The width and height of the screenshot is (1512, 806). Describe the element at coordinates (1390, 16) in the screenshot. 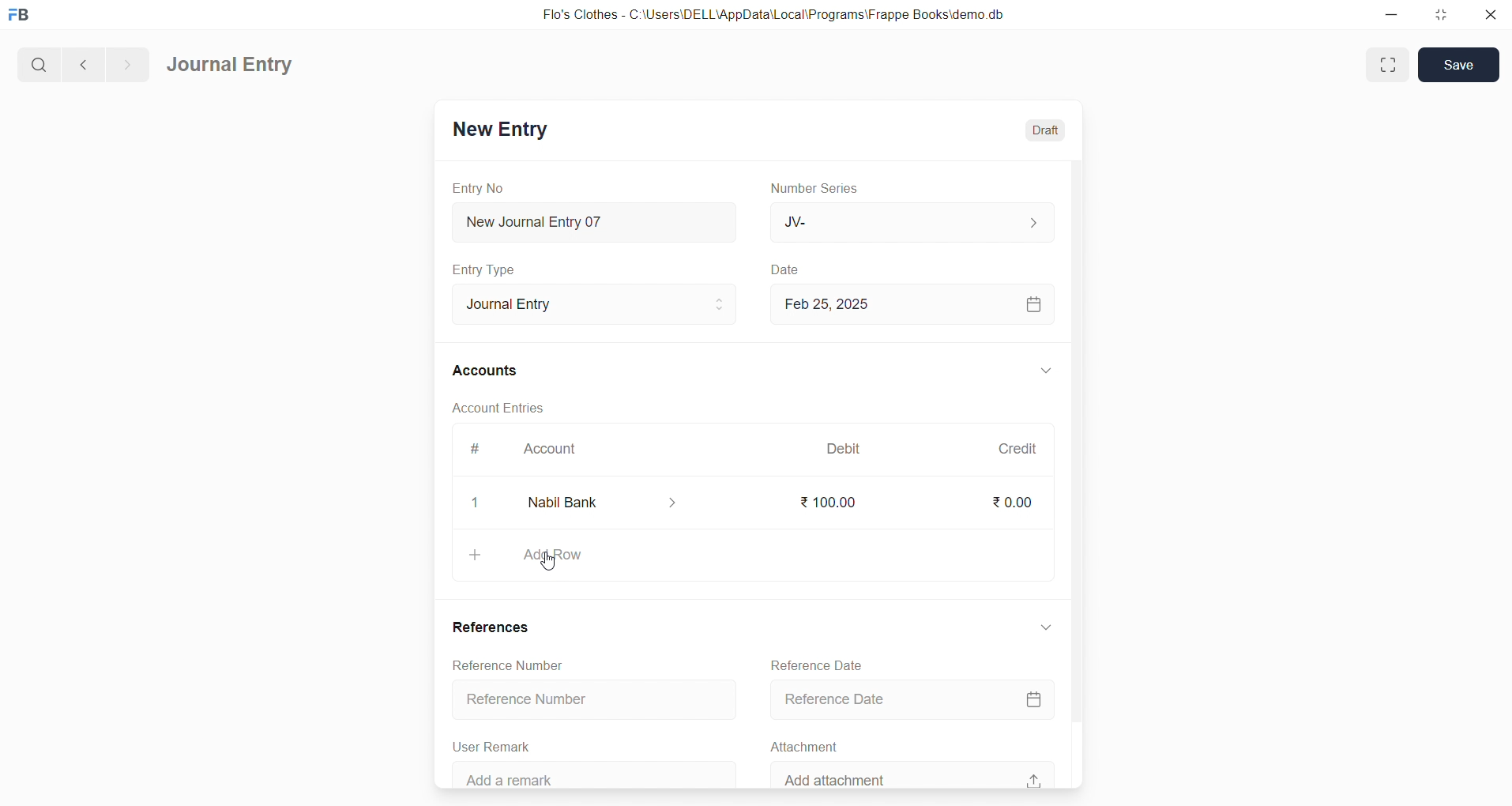

I see `minimize` at that location.